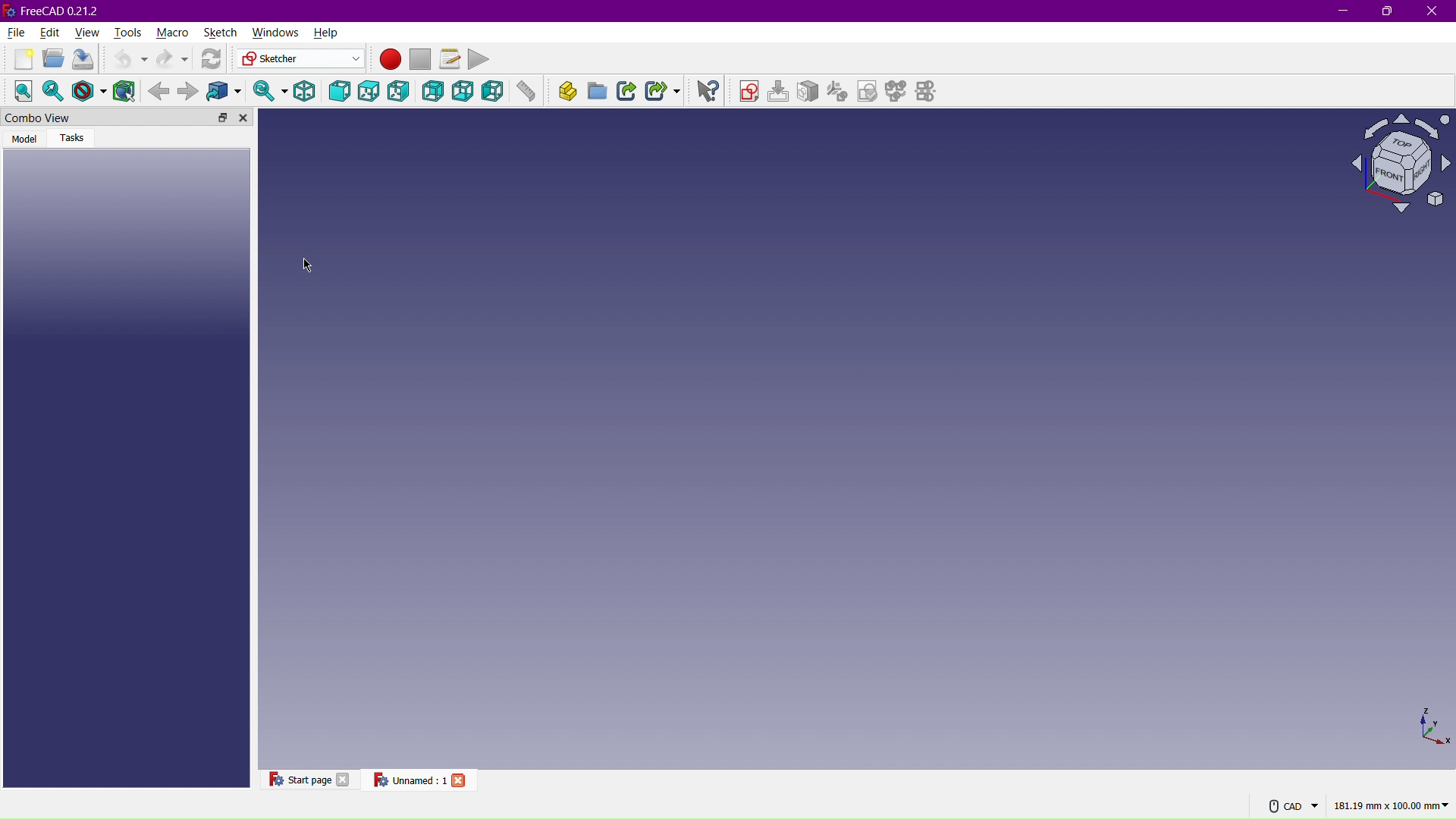 The height and width of the screenshot is (819, 1456). Describe the element at coordinates (899, 94) in the screenshot. I see `Merge sketches` at that location.